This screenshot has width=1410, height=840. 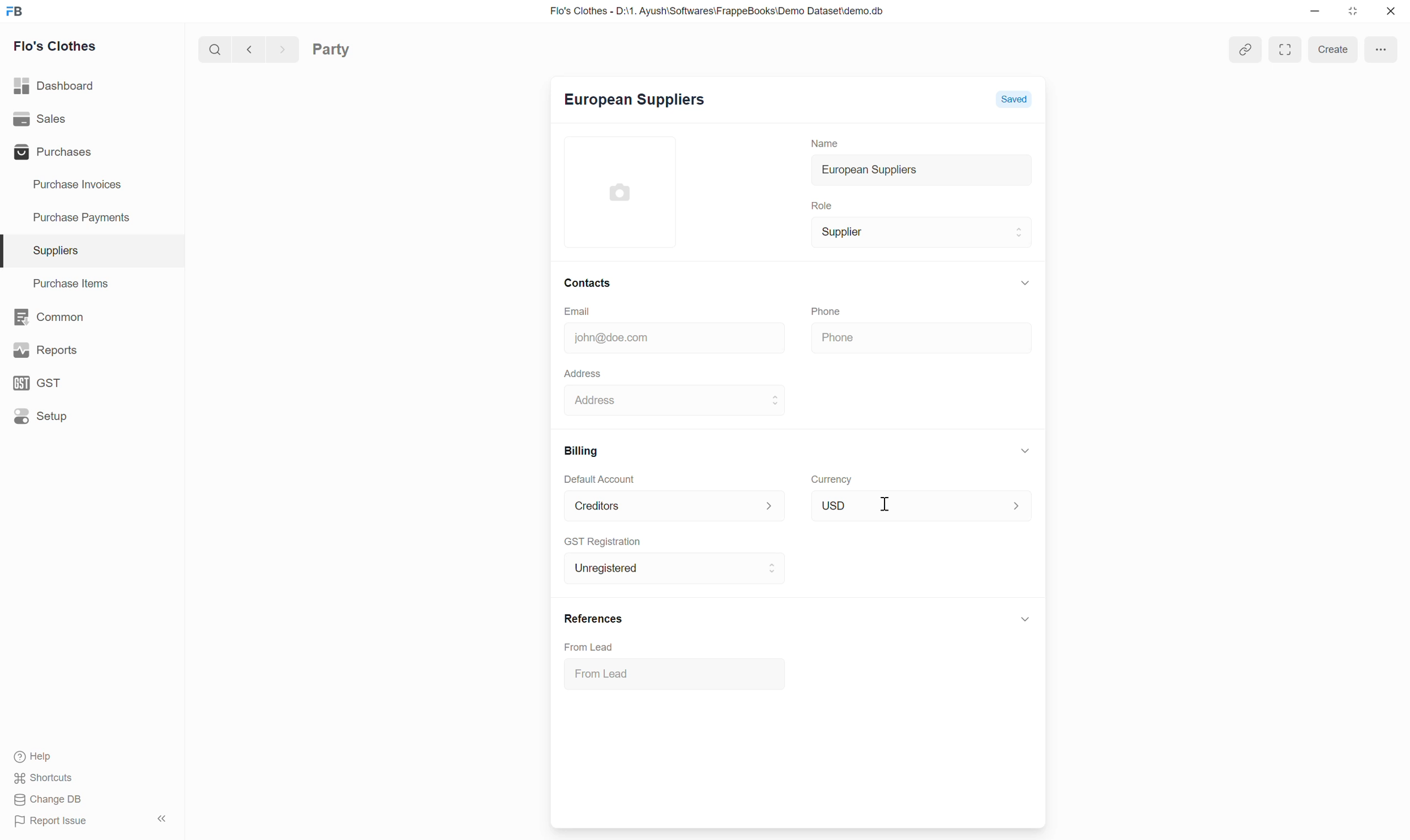 What do you see at coordinates (604, 567) in the screenshot?
I see `Unregistered` at bounding box center [604, 567].